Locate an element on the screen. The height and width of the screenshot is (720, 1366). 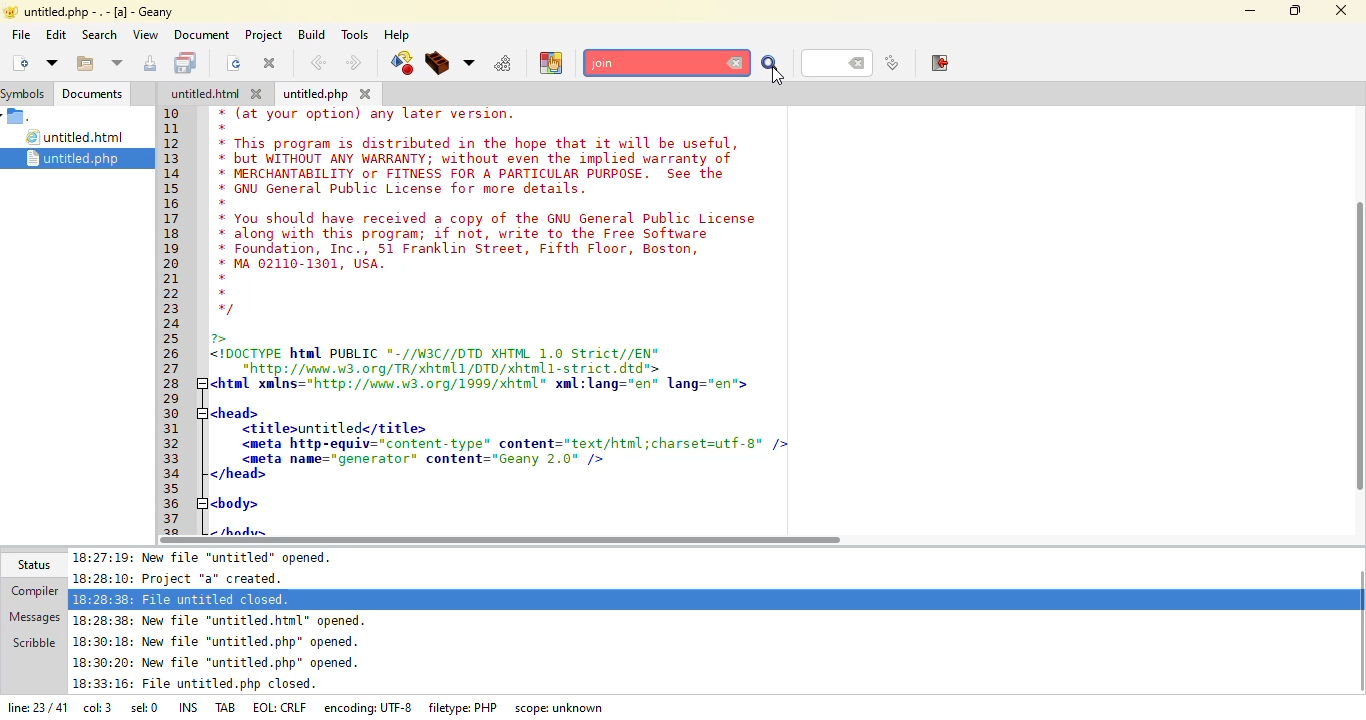
33 is located at coordinates (172, 459).